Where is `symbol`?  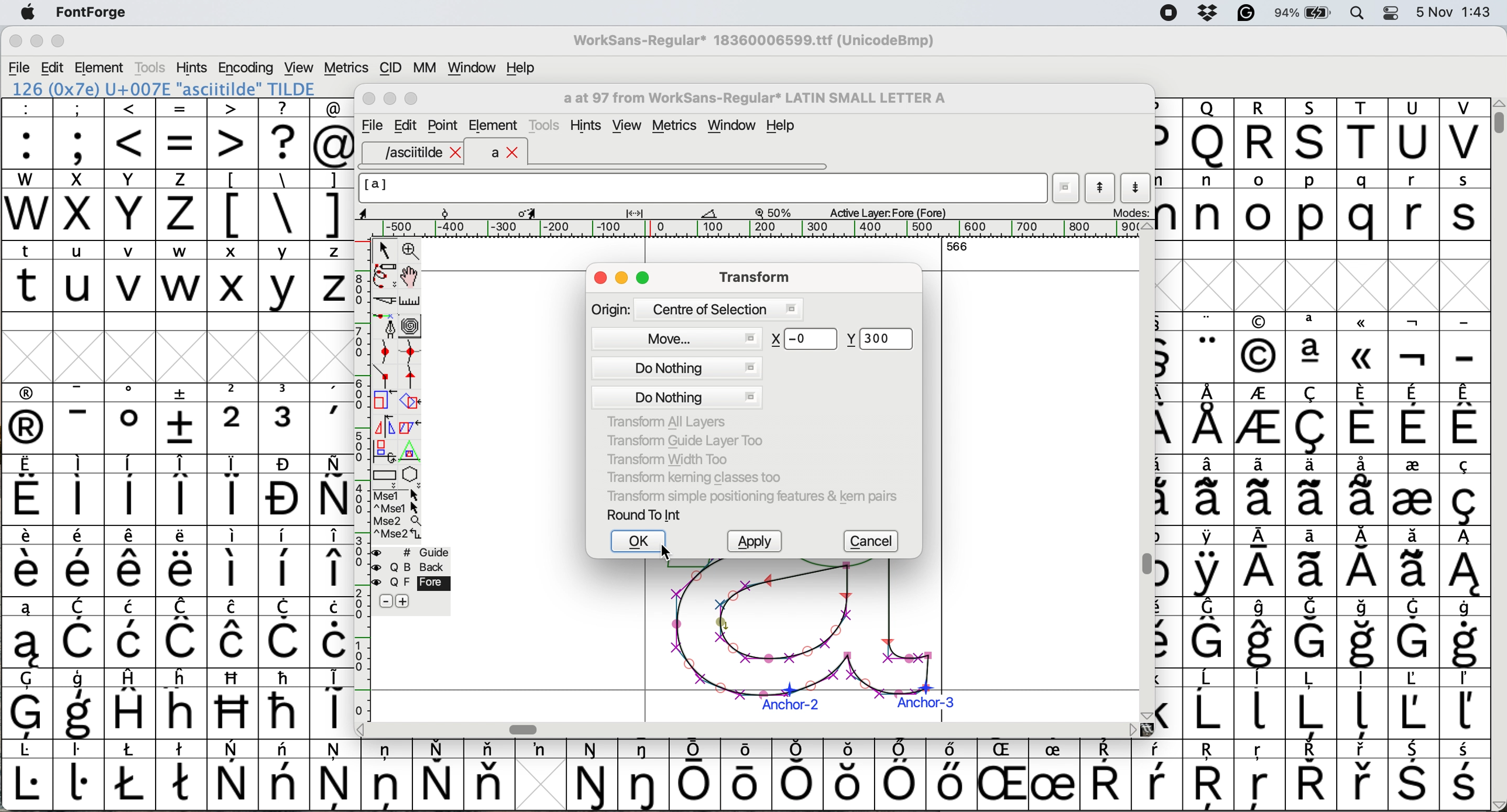
symbol is located at coordinates (1463, 704).